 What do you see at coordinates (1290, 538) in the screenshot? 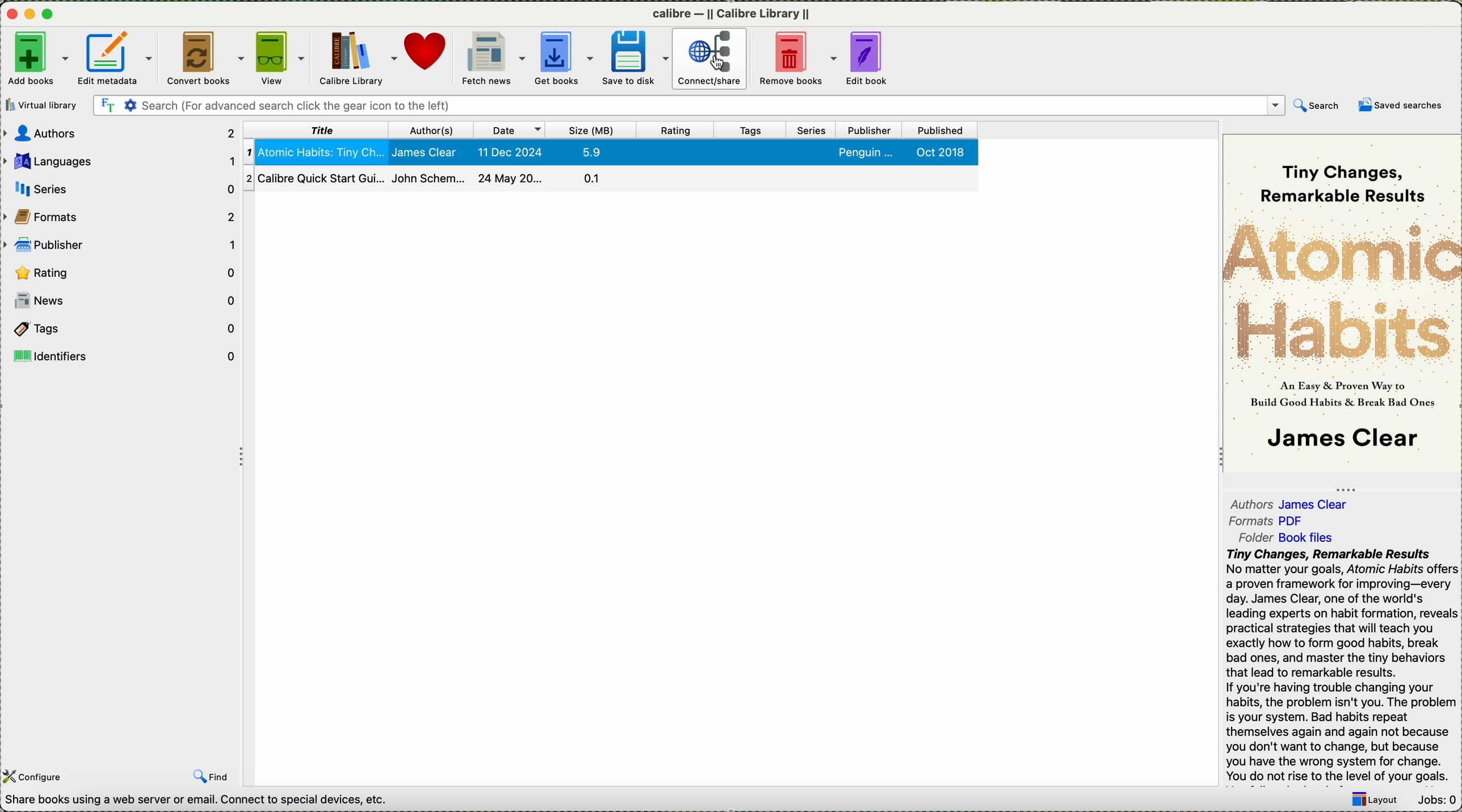
I see `folder` at bounding box center [1290, 538].